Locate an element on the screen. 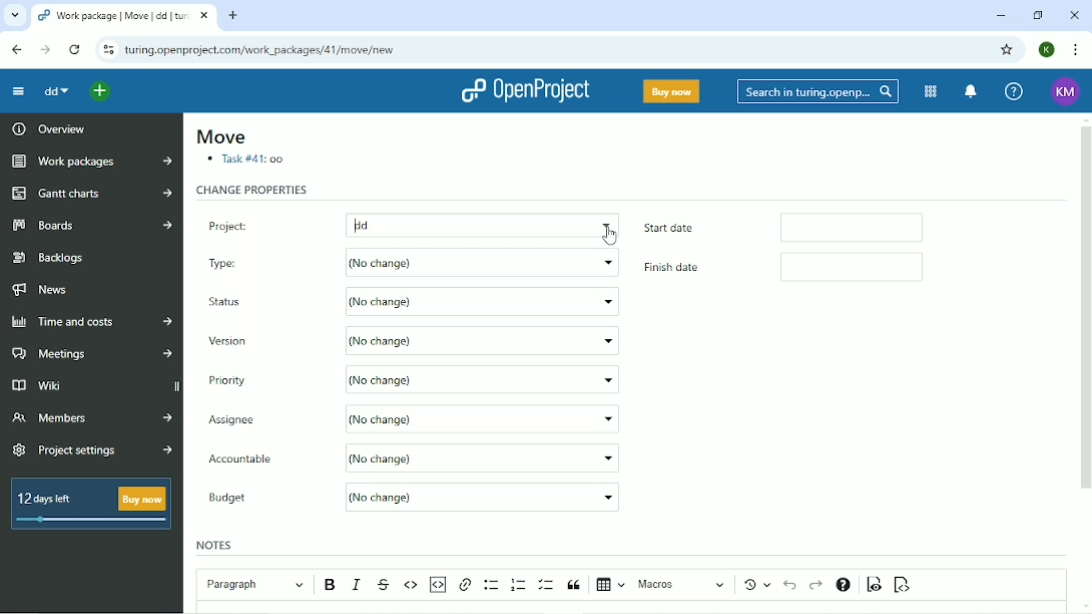 This screenshot has height=614, width=1092. dd is located at coordinates (56, 91).